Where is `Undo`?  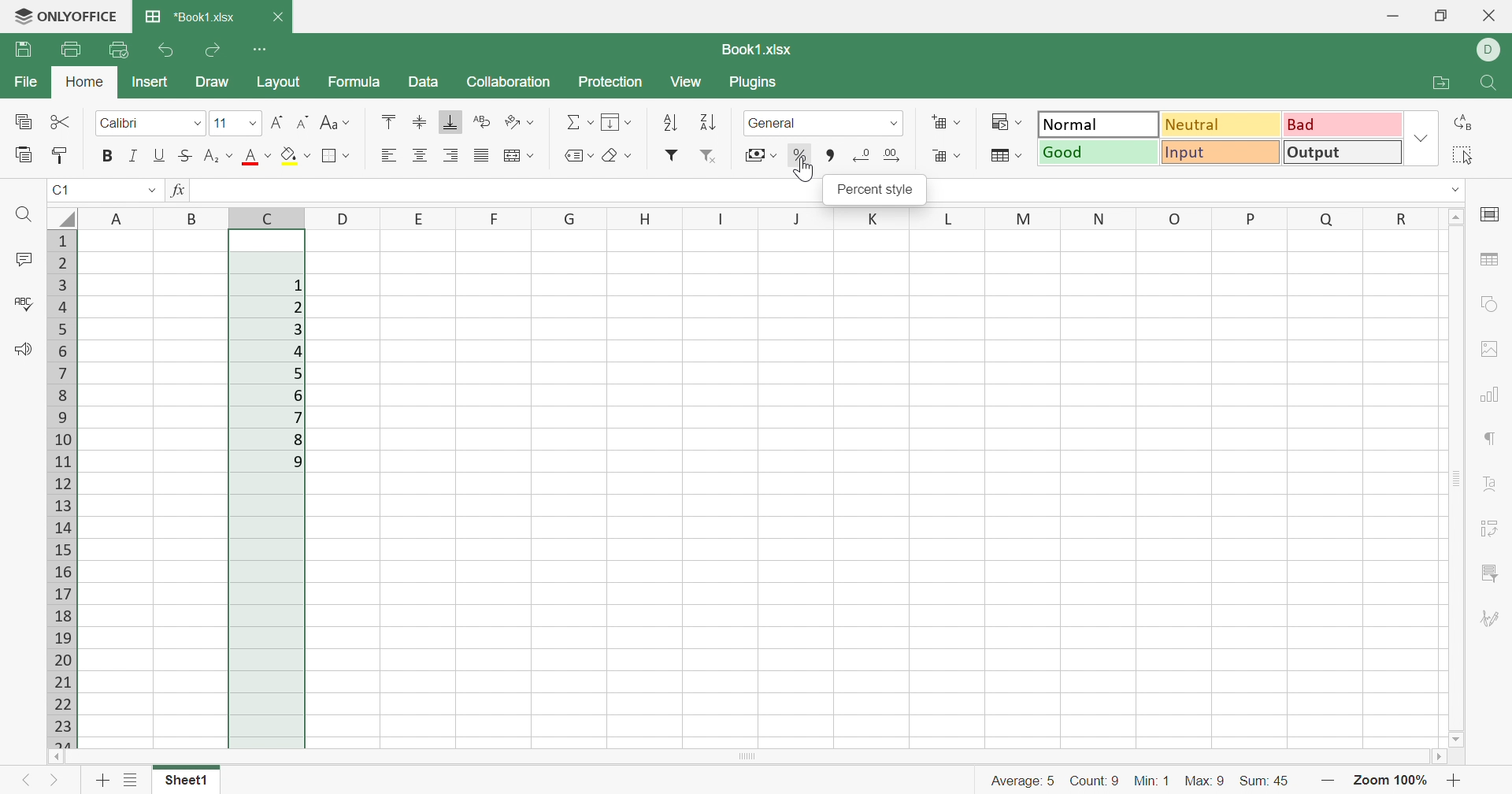 Undo is located at coordinates (167, 52).